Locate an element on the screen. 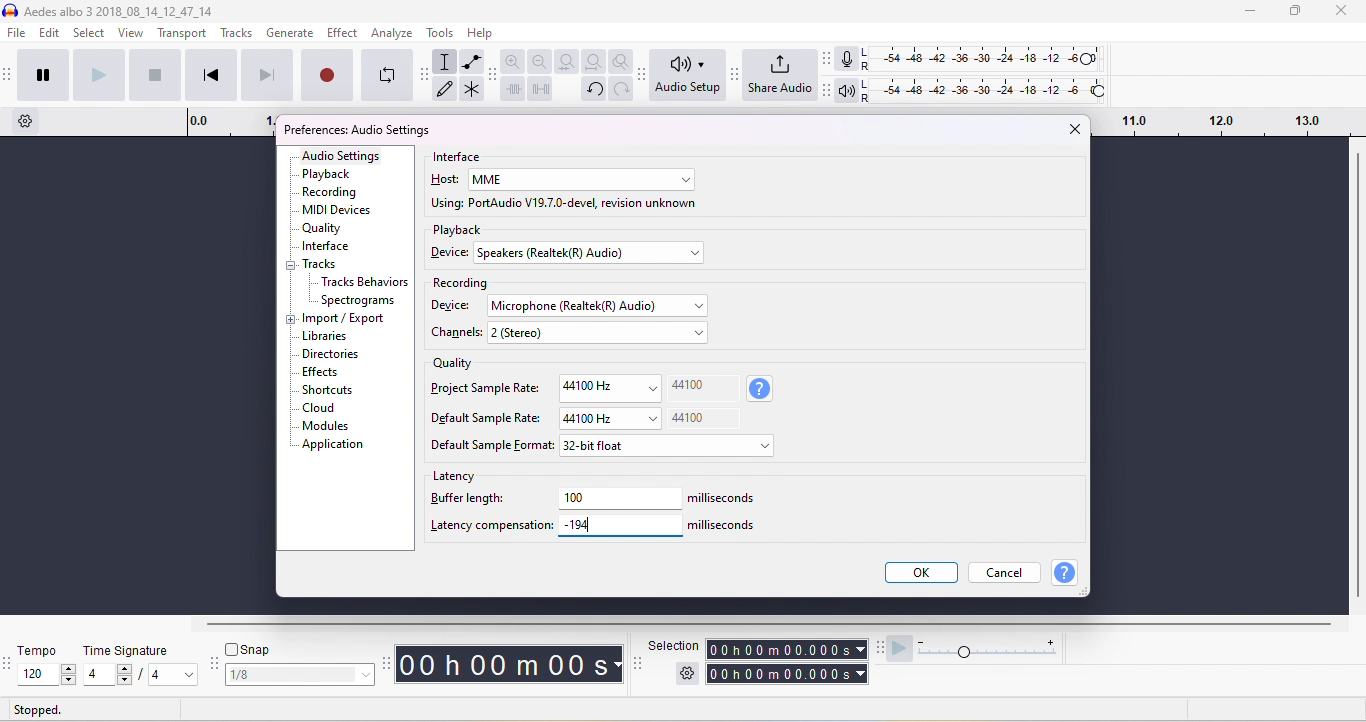  help is located at coordinates (480, 32).